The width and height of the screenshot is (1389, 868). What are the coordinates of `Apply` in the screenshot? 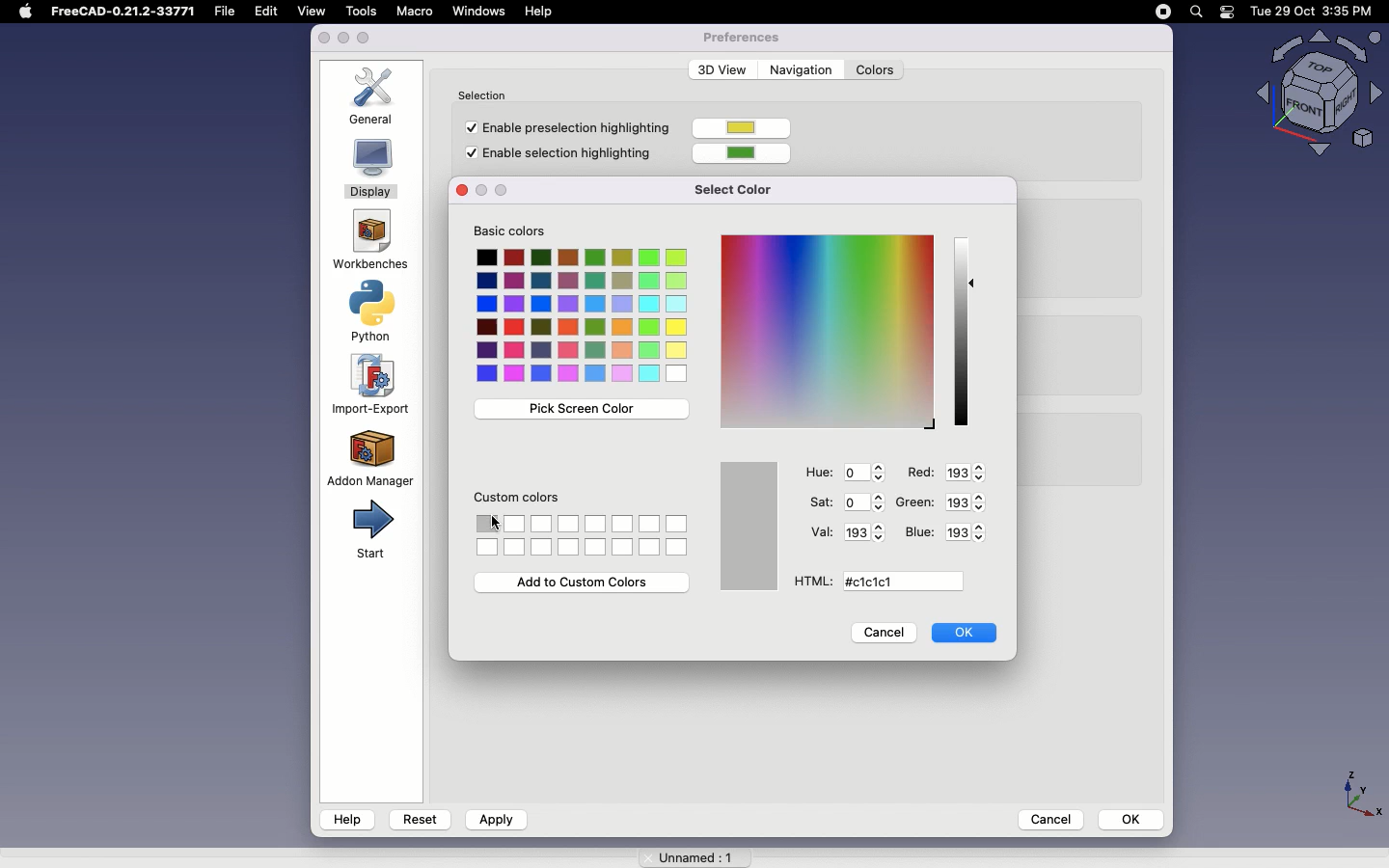 It's located at (495, 820).